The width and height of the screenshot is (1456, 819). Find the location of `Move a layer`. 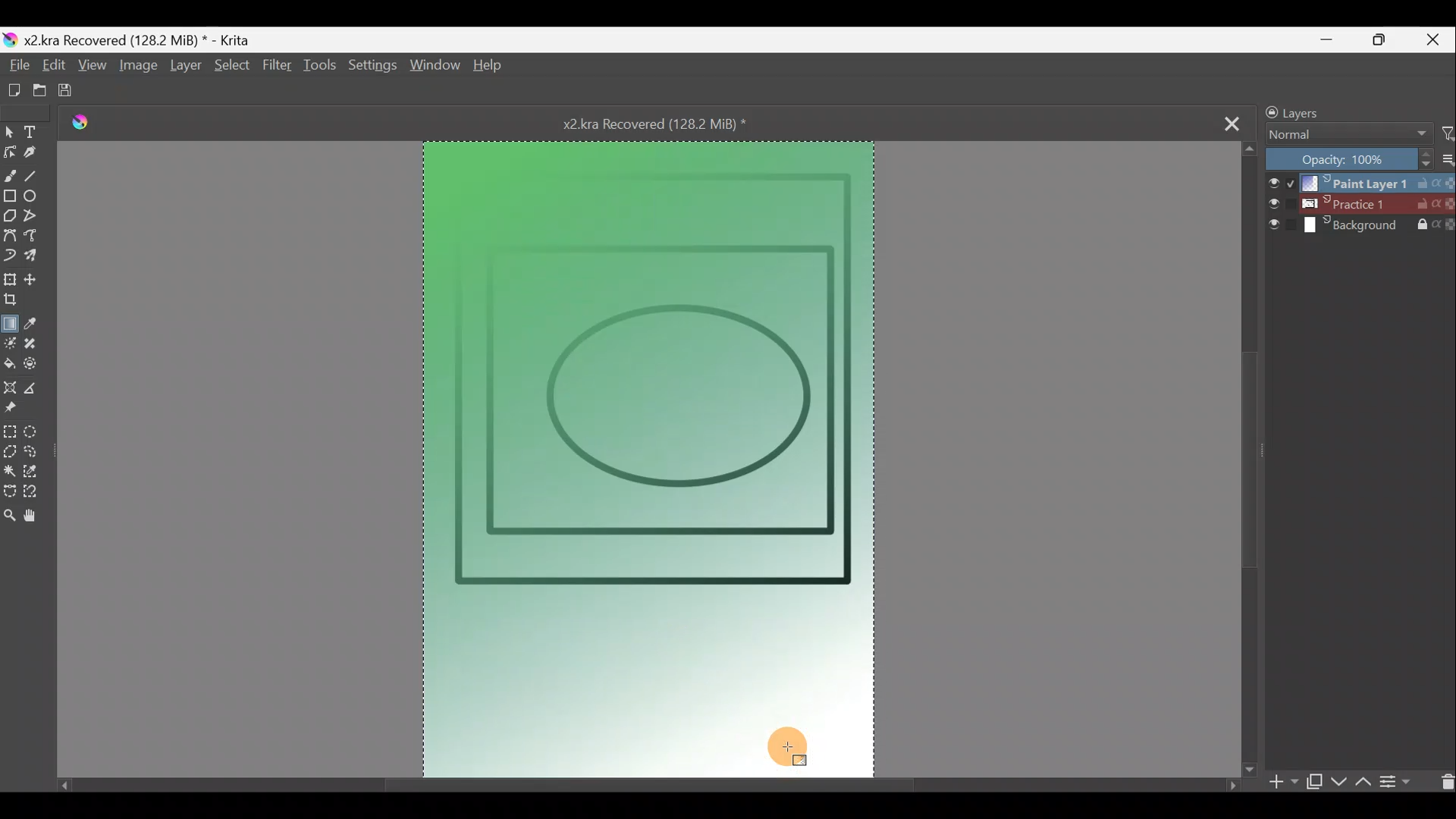

Move a layer is located at coordinates (38, 279).